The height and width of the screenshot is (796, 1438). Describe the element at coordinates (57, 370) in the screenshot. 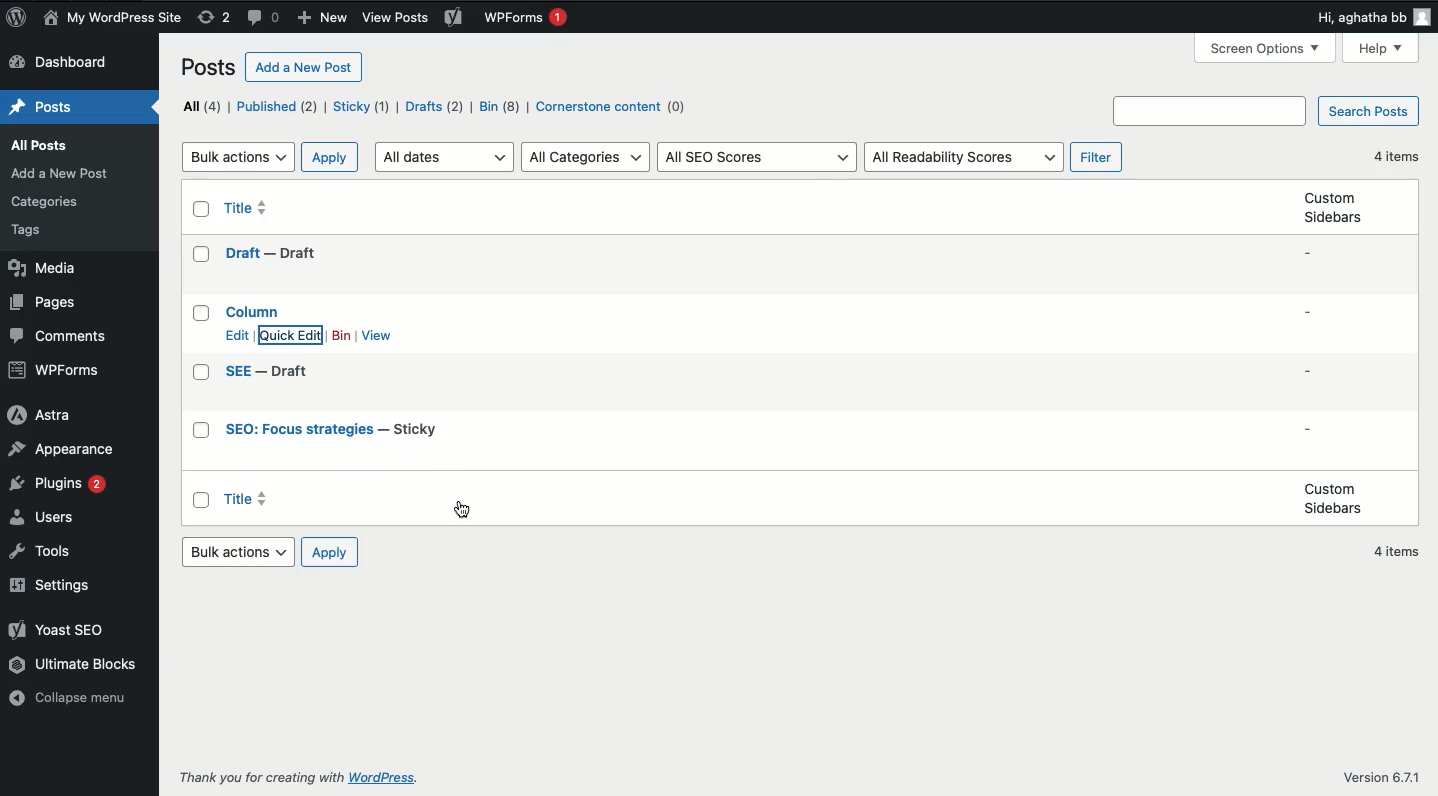

I see `WPForms` at that location.